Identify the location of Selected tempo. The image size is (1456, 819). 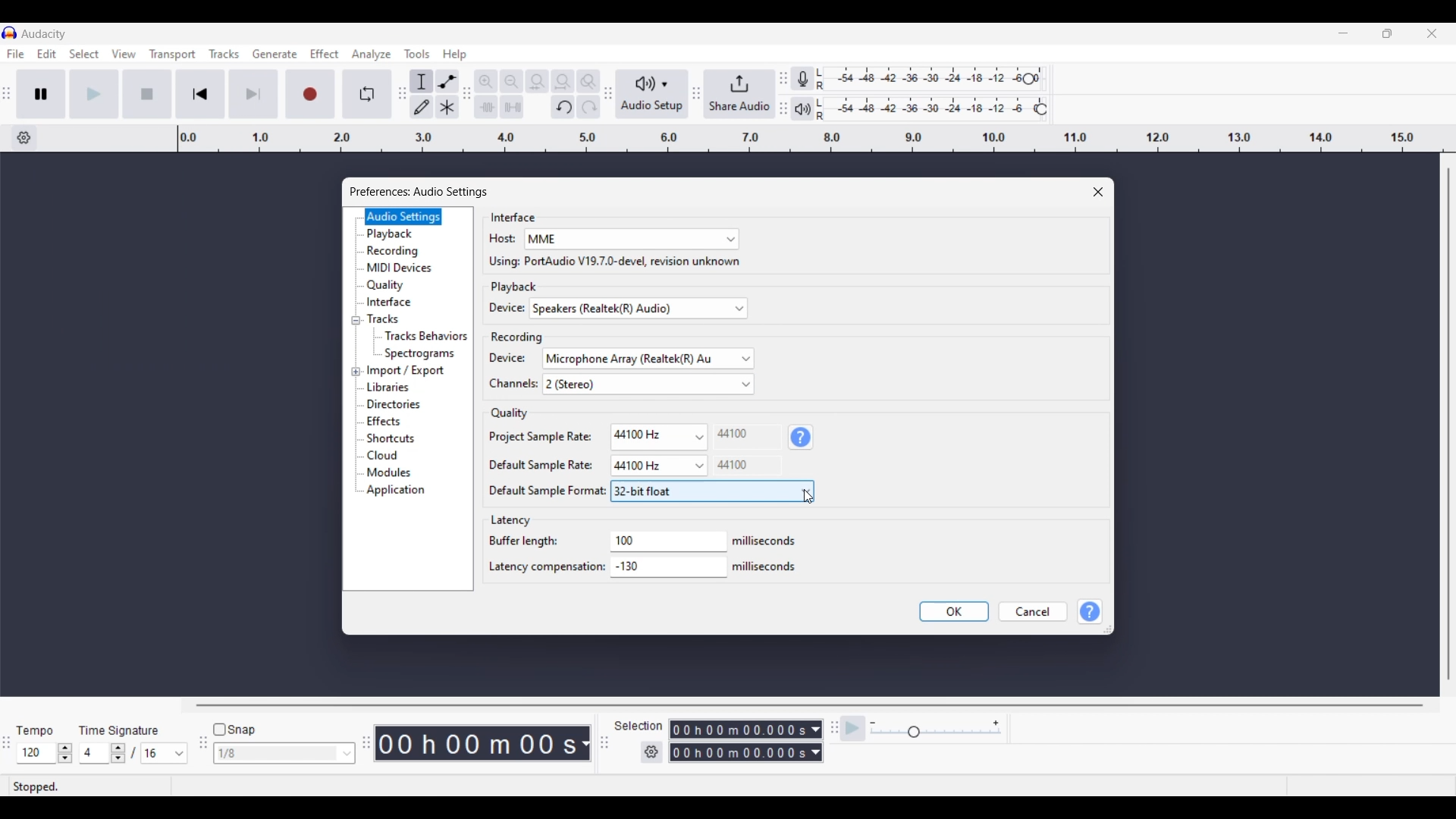
(36, 753).